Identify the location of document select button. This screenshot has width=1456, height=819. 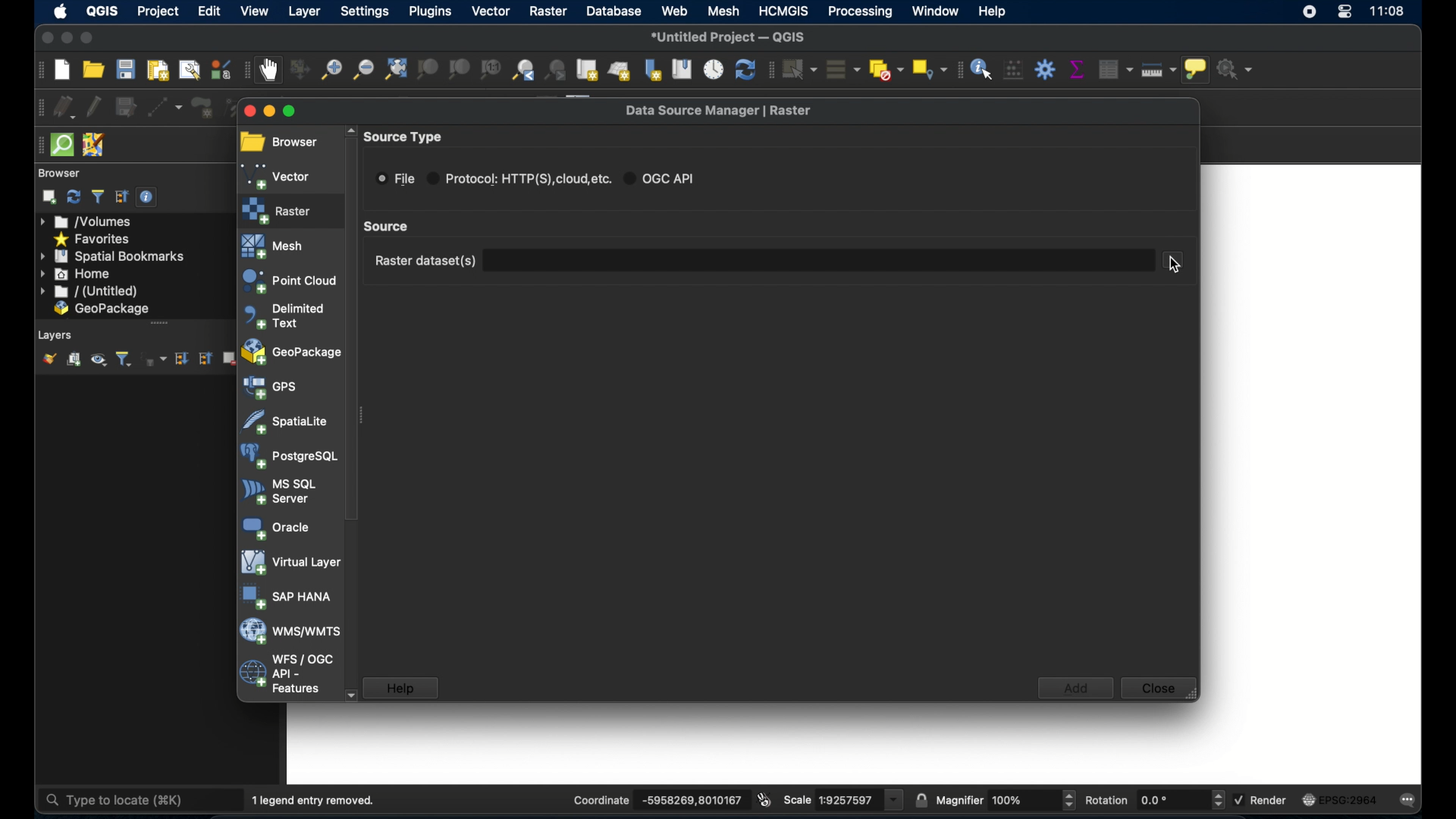
(1175, 259).